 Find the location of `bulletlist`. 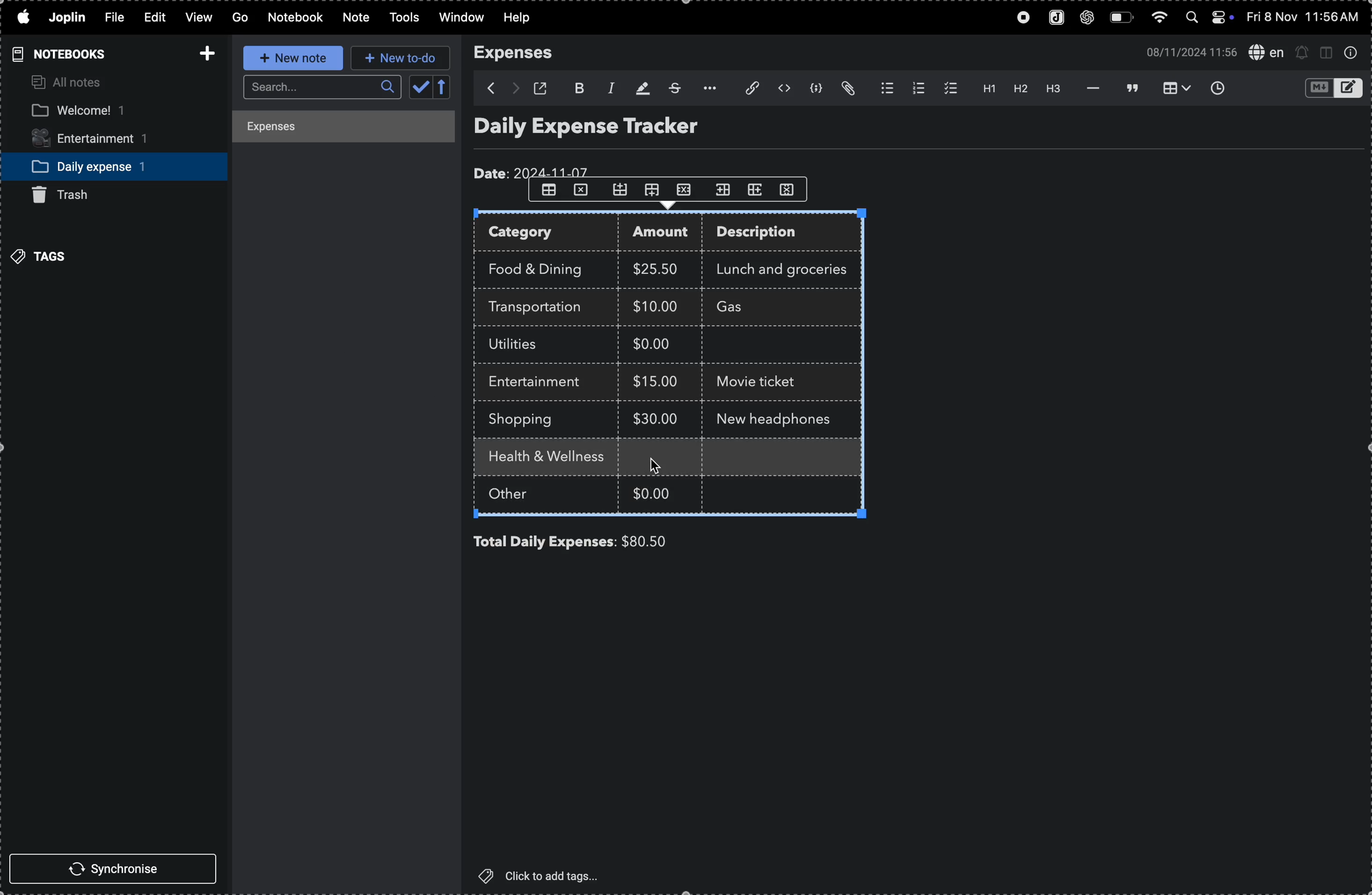

bulletlist is located at coordinates (884, 89).